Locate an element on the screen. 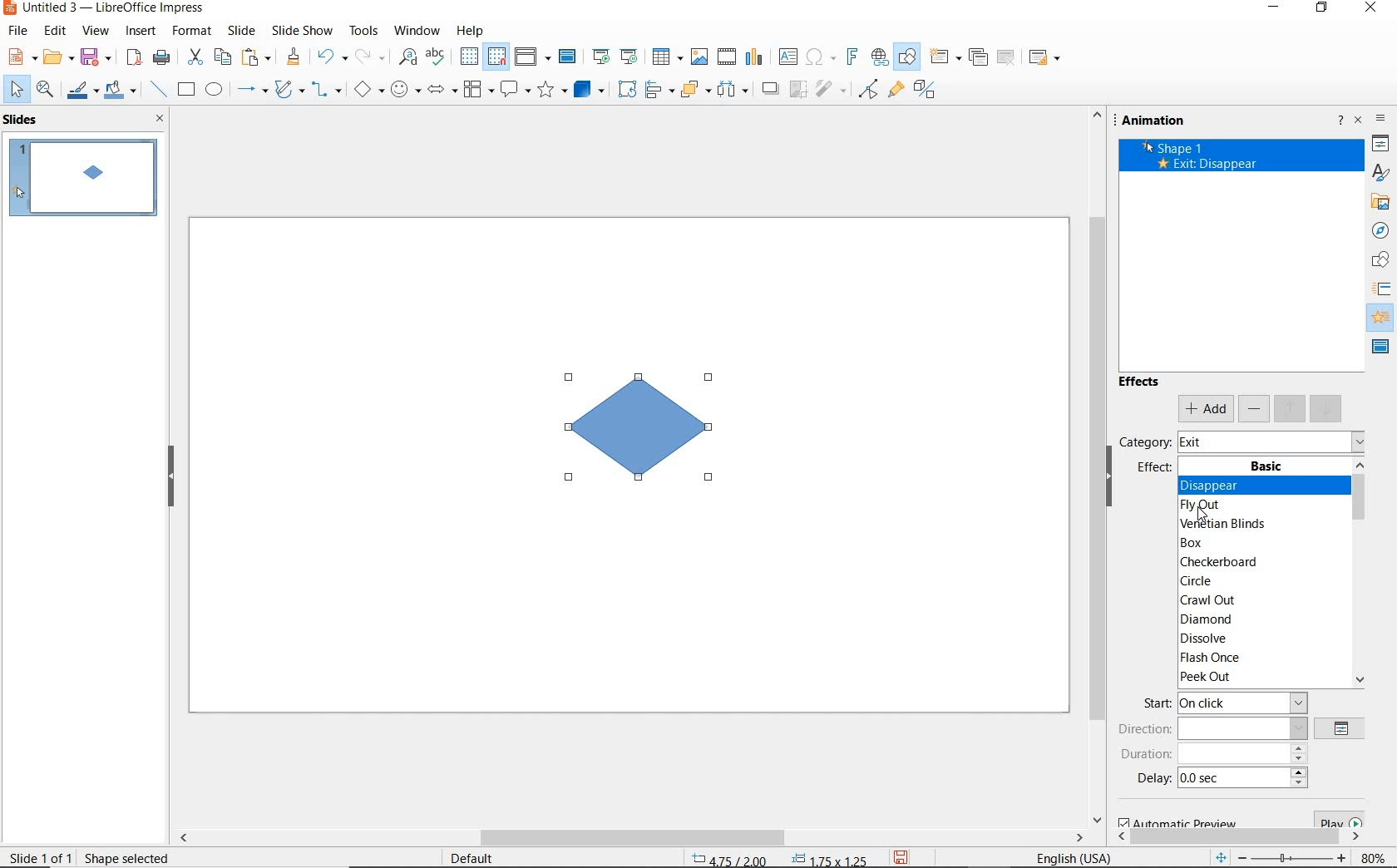 This screenshot has width=1397, height=868. scrollbar is located at coordinates (639, 835).